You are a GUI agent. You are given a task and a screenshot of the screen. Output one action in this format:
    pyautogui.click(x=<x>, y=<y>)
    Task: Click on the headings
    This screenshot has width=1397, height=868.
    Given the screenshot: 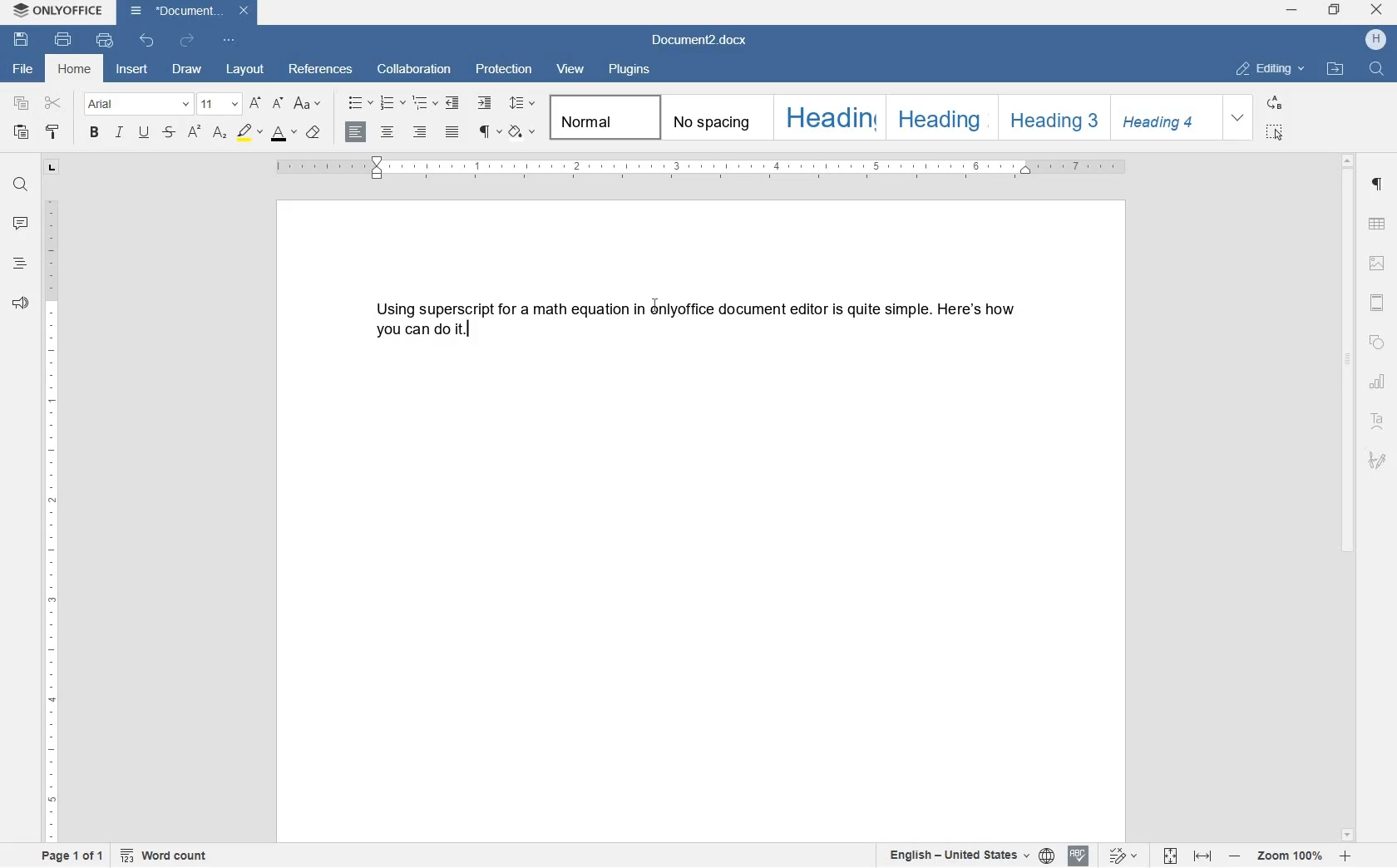 What is the action you would take?
    pyautogui.click(x=20, y=264)
    